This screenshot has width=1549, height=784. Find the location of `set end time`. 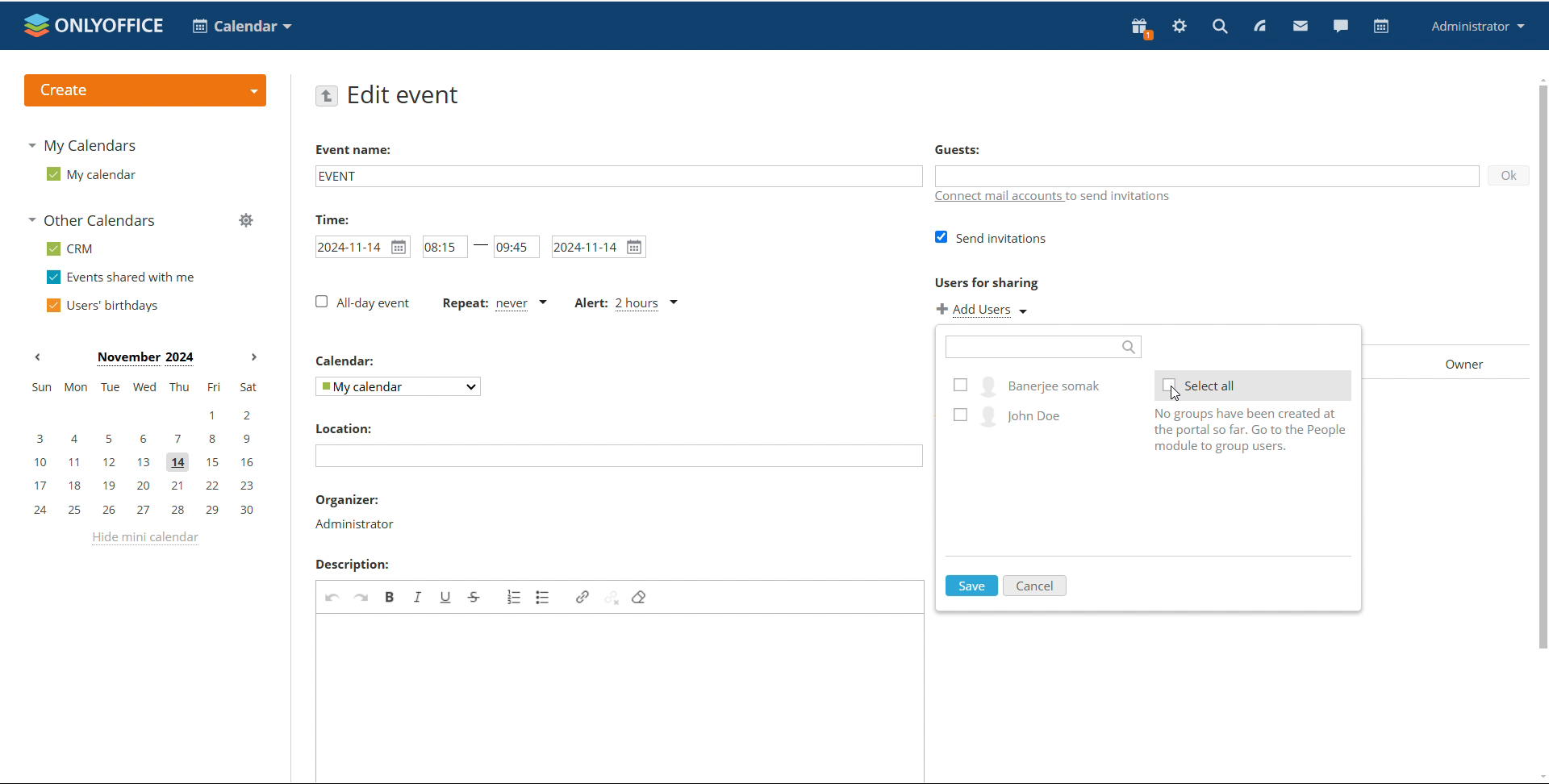

set end time is located at coordinates (516, 246).